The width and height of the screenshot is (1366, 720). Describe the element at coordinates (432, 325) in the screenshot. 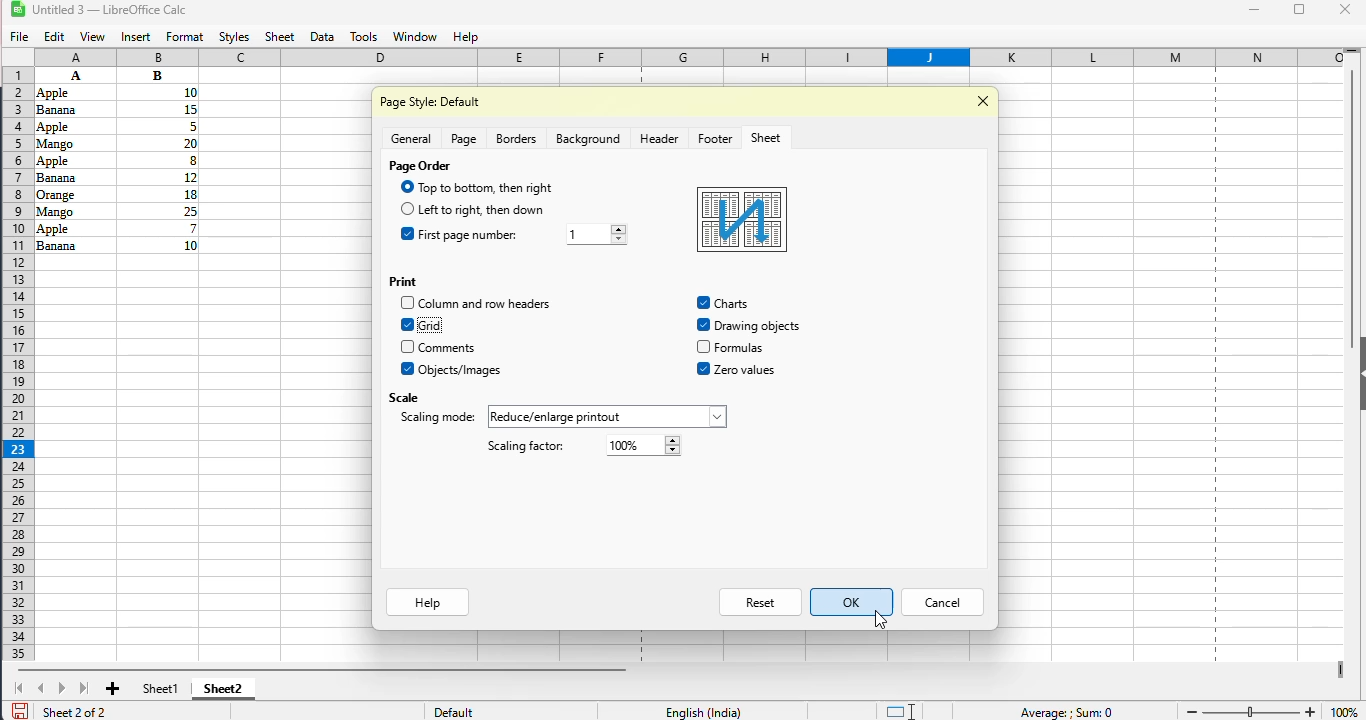

I see `grid` at that location.